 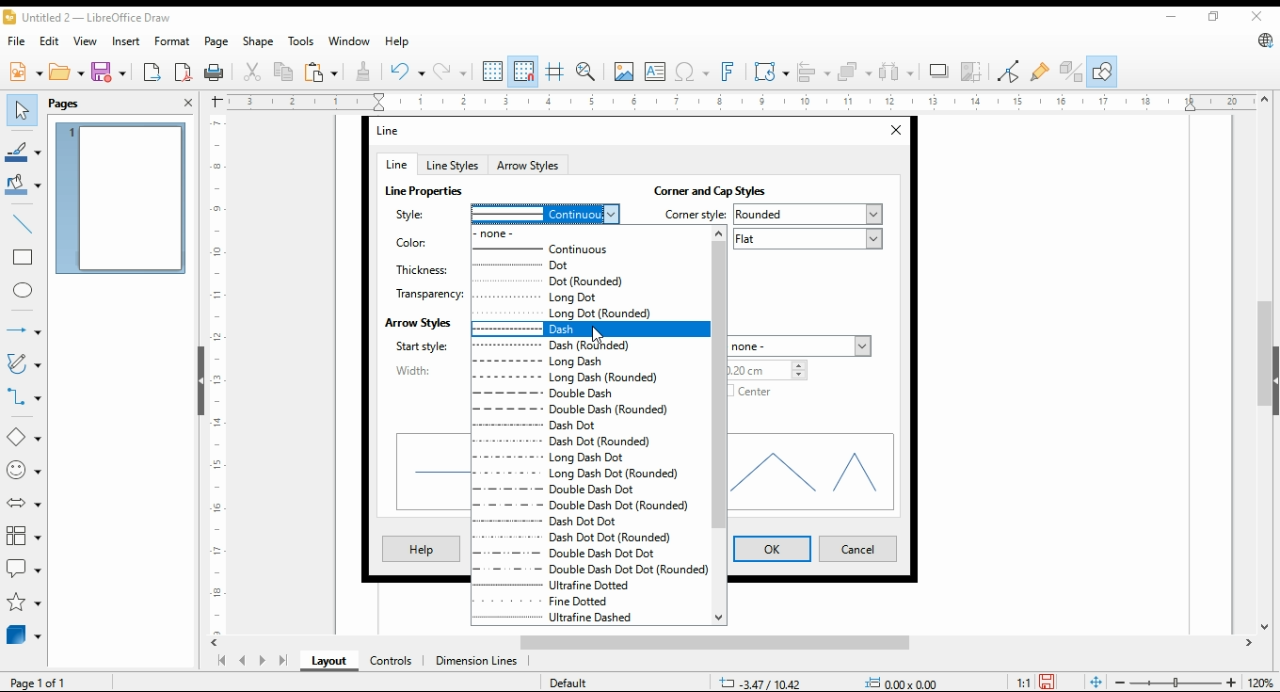 What do you see at coordinates (589, 395) in the screenshot?
I see `double dash` at bounding box center [589, 395].